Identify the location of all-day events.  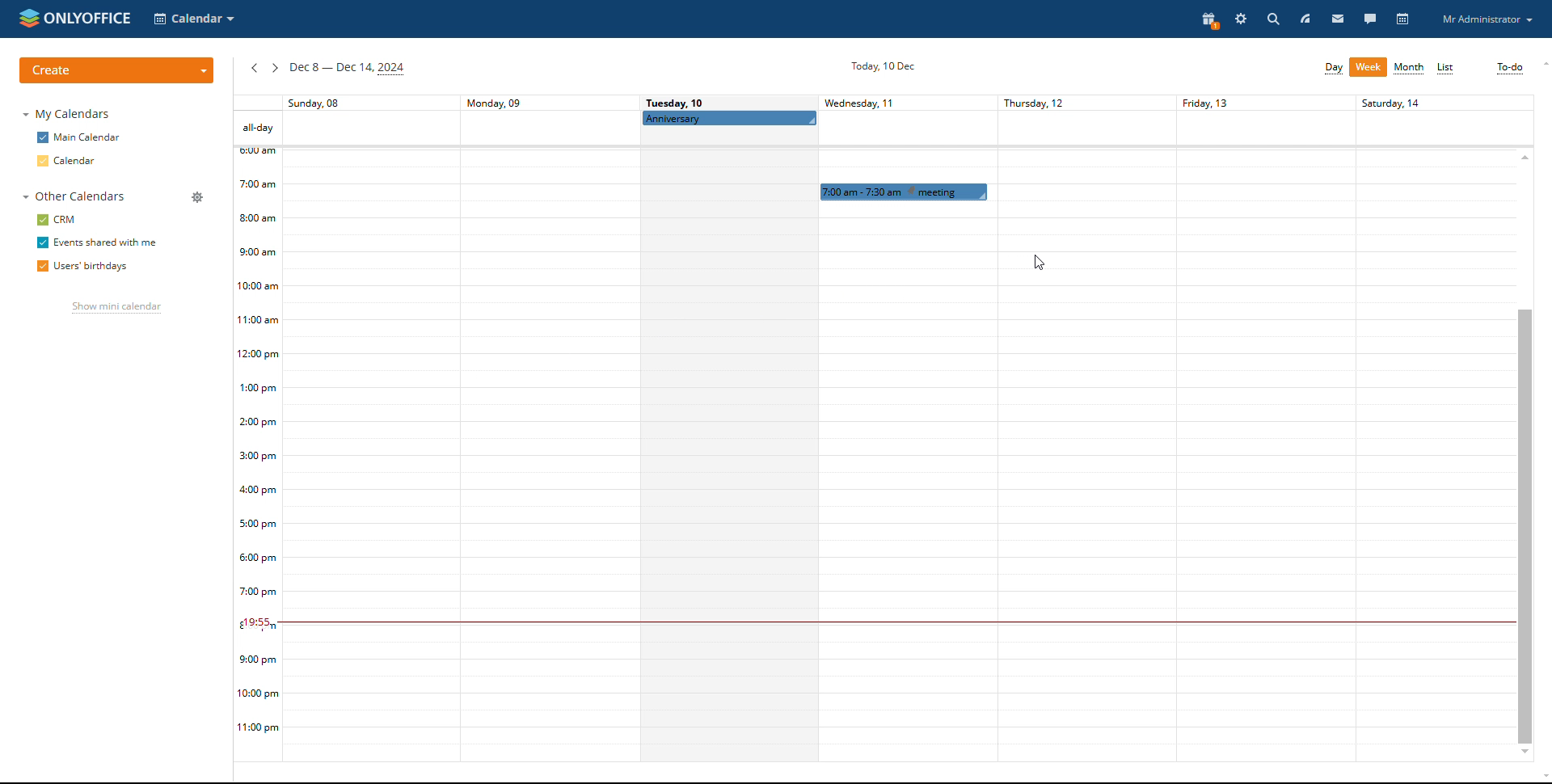
(257, 128).